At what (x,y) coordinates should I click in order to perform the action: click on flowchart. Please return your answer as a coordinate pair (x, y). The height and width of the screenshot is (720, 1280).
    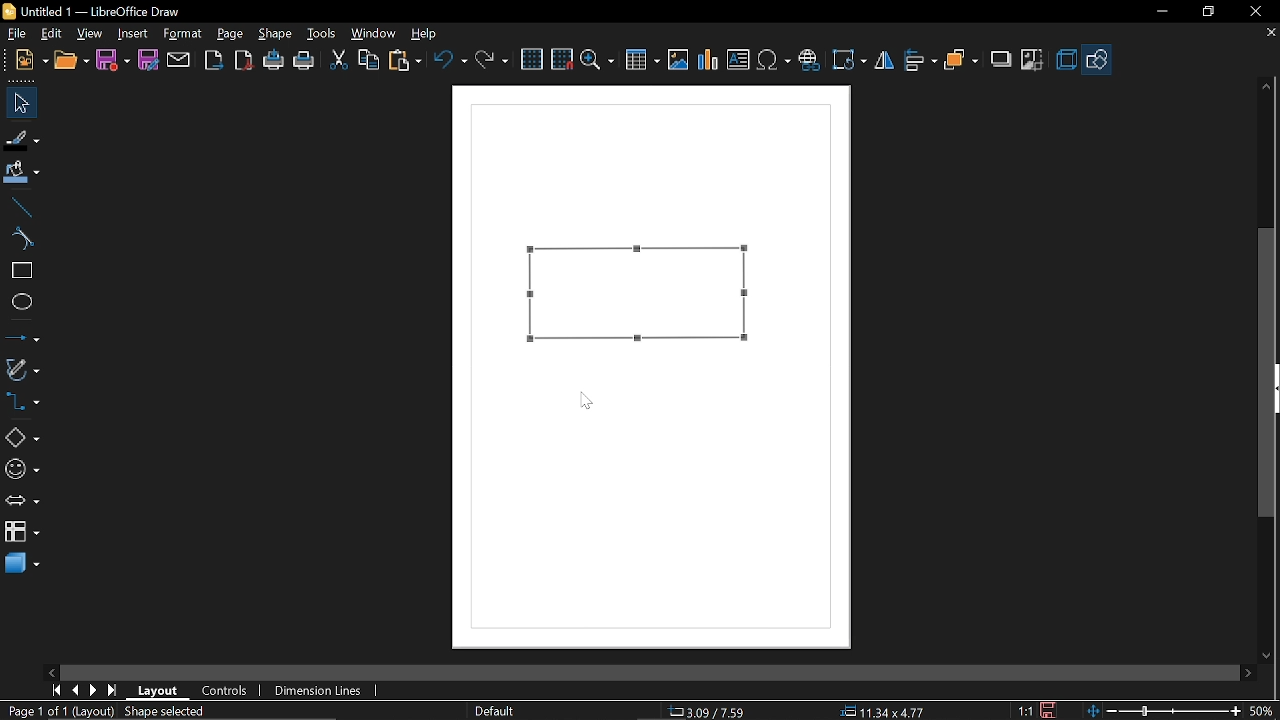
    Looking at the image, I should click on (19, 530).